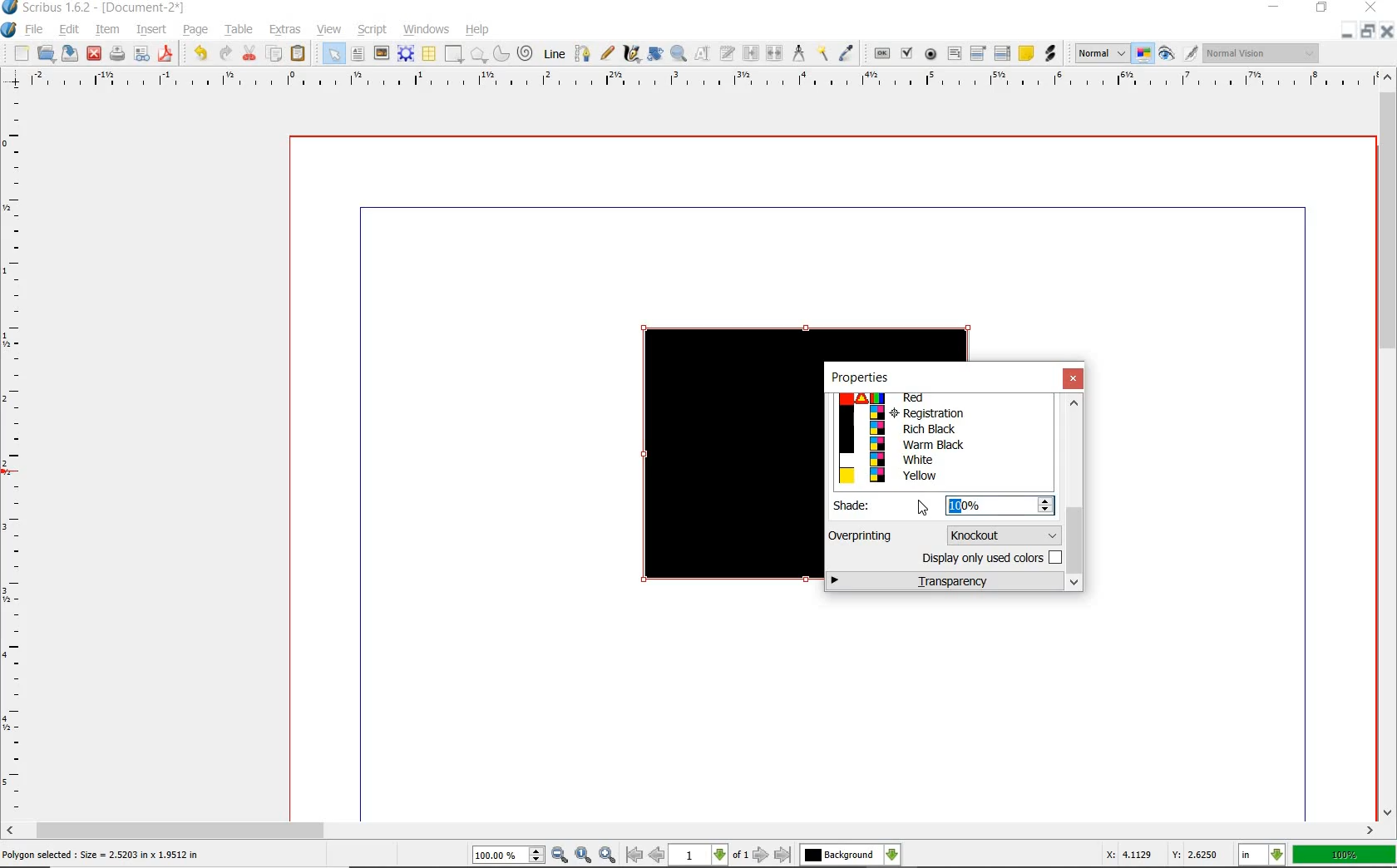 The image size is (1397, 868). Describe the element at coordinates (225, 54) in the screenshot. I see `redo` at that location.